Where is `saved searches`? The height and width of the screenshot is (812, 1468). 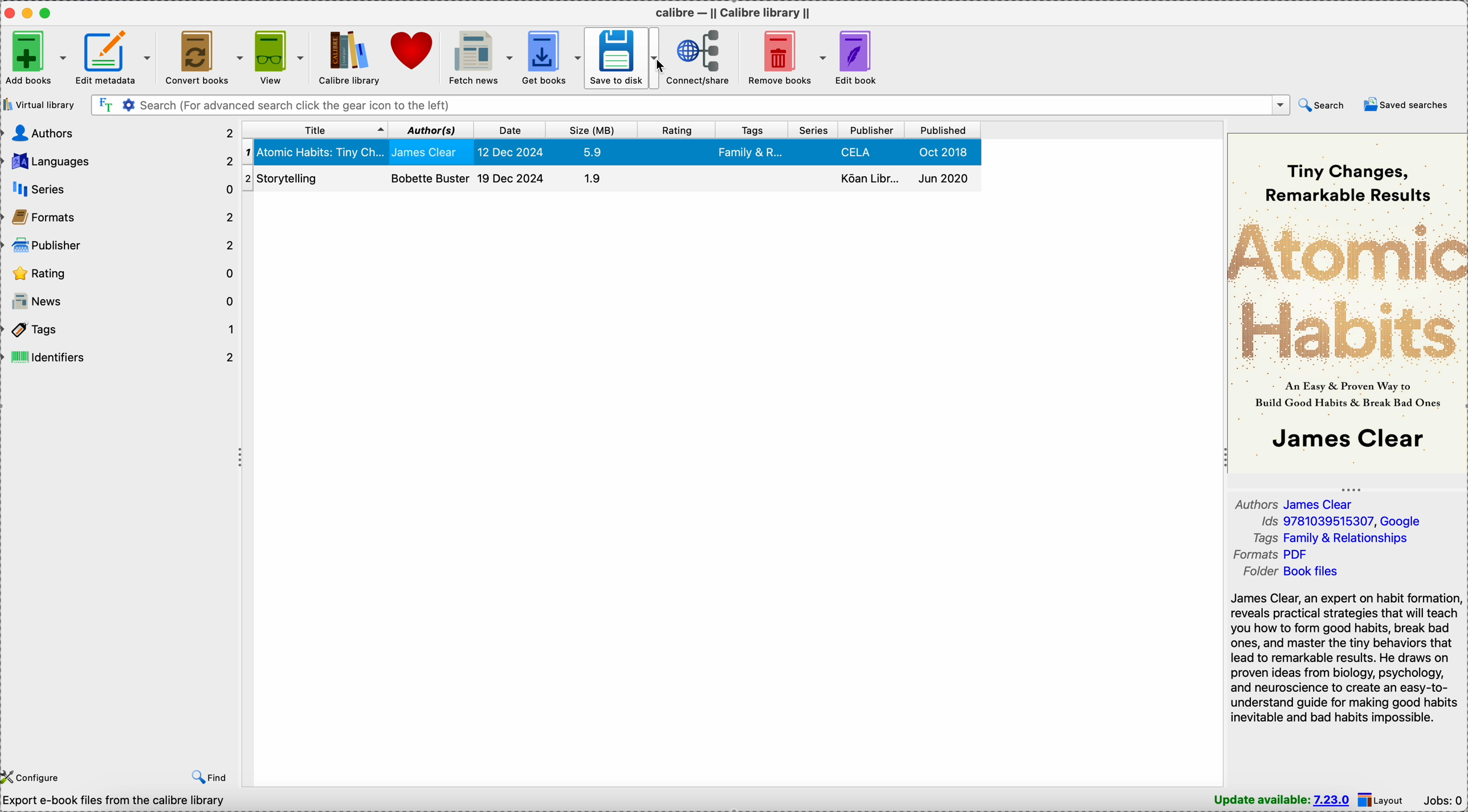 saved searches is located at coordinates (1406, 104).